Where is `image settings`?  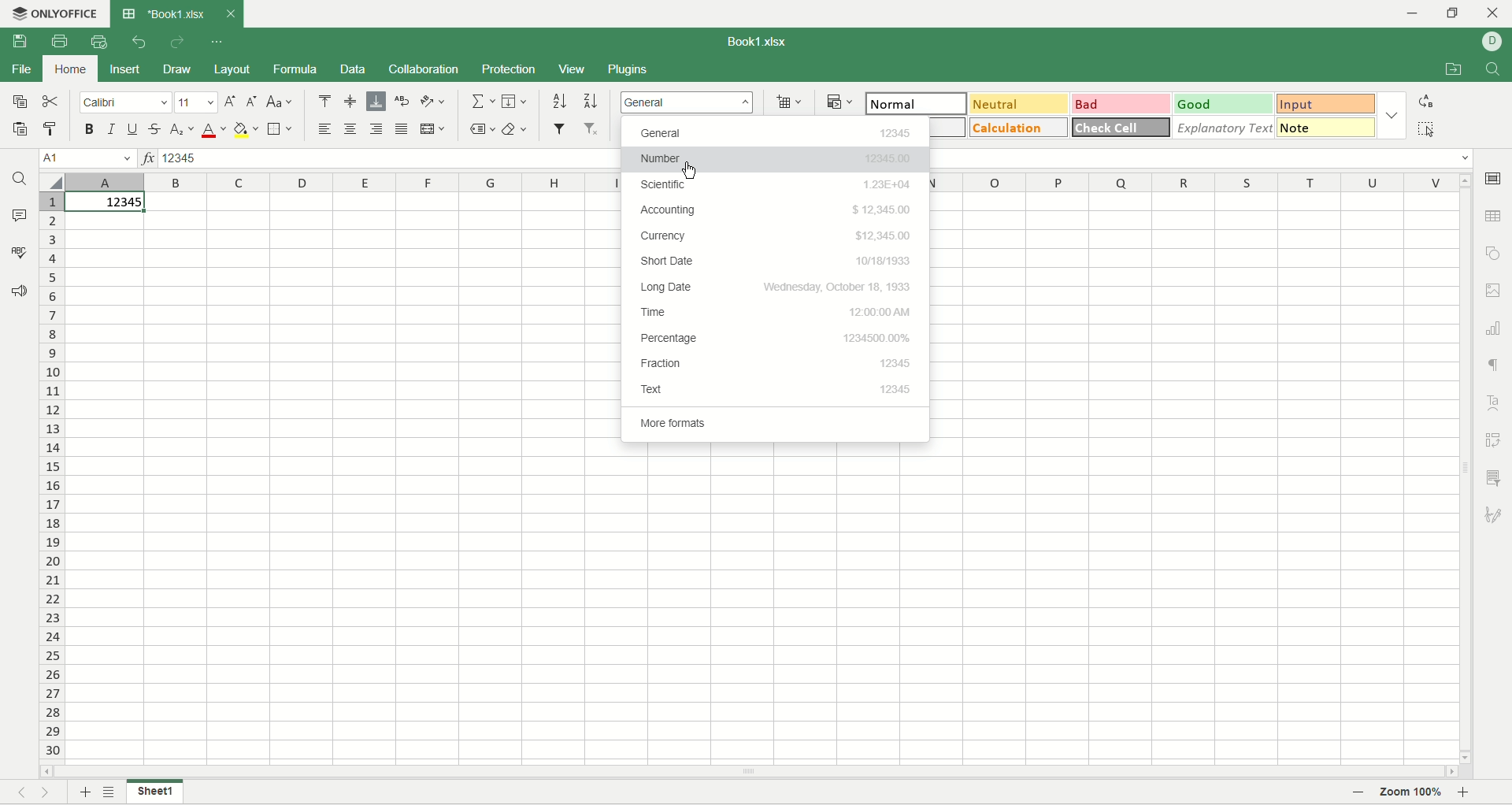 image settings is located at coordinates (1496, 291).